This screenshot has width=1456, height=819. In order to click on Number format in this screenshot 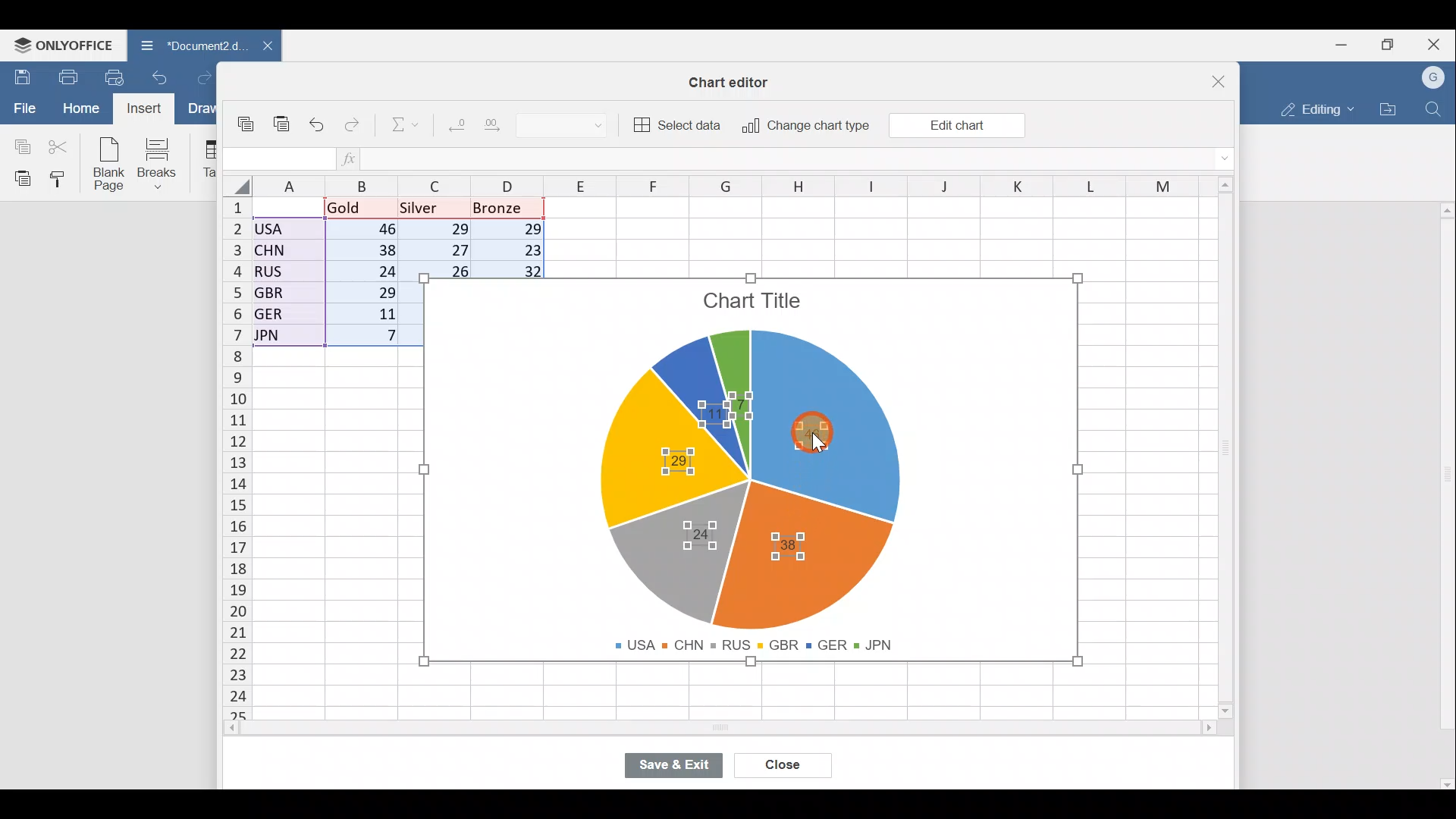, I will do `click(568, 123)`.